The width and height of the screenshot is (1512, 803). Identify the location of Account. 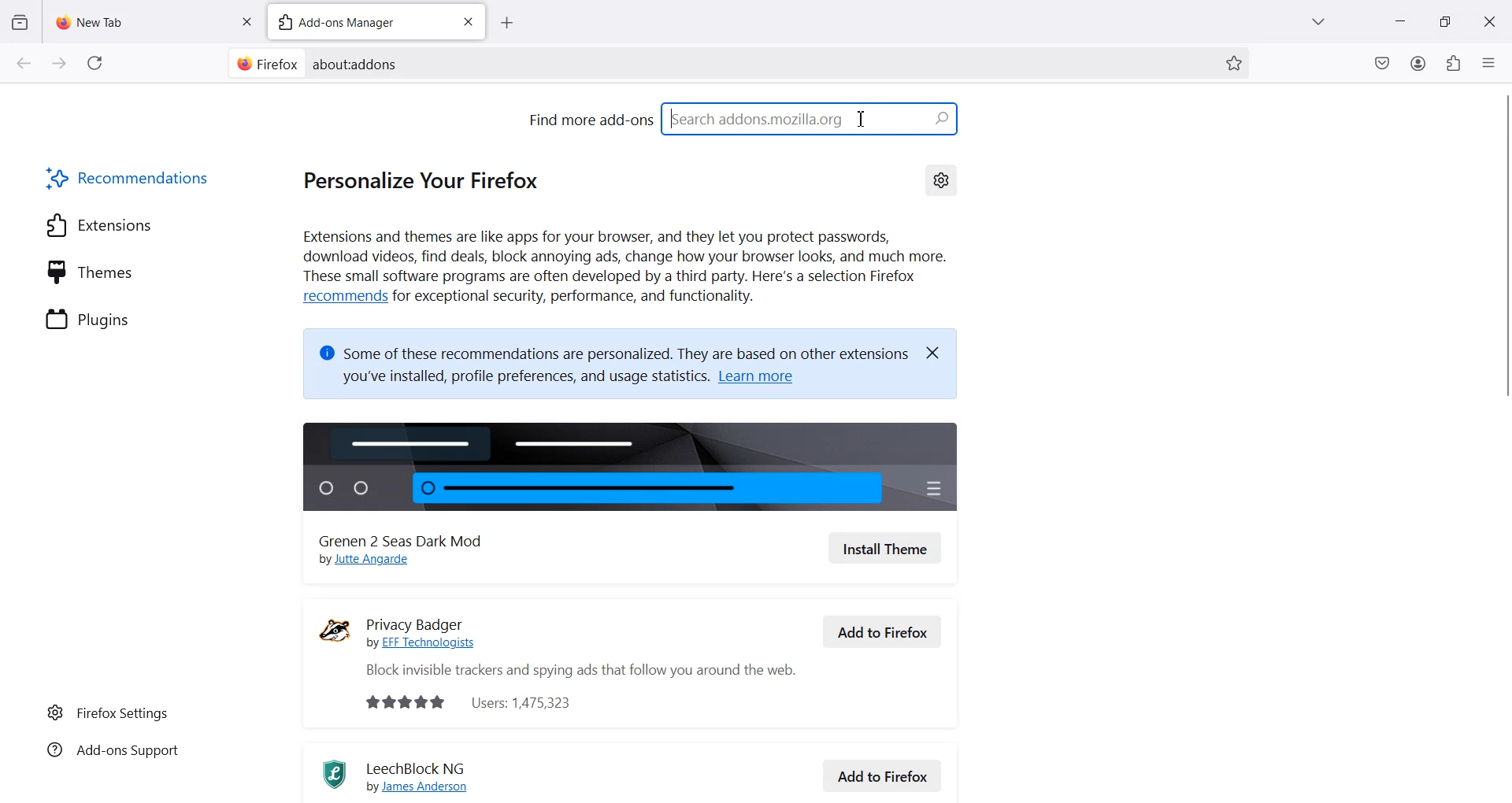
(1419, 63).